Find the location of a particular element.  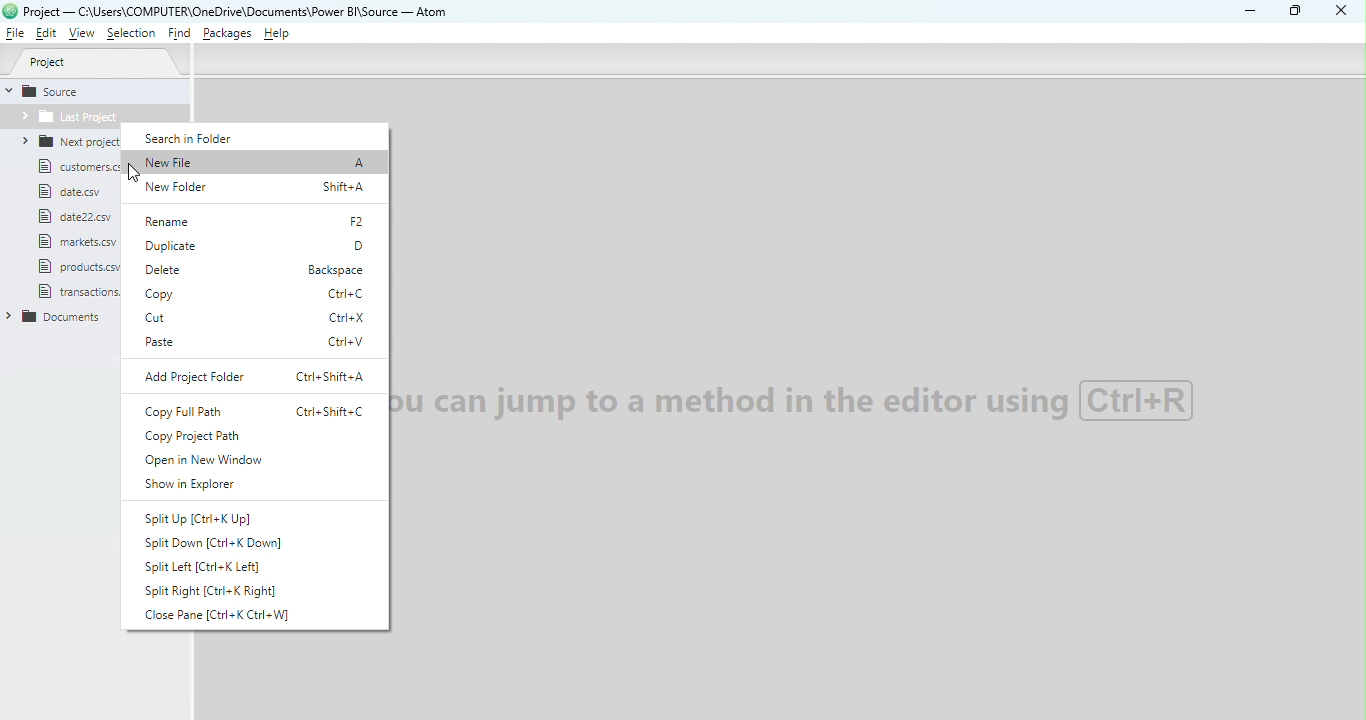

Split up is located at coordinates (205, 520).